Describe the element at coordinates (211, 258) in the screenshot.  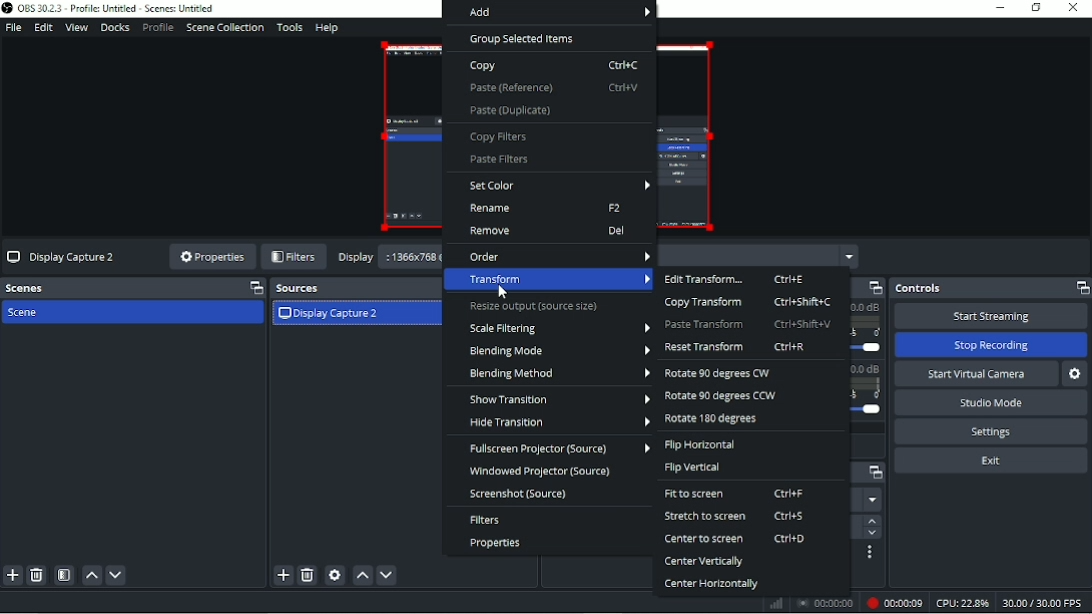
I see `Properties` at that location.